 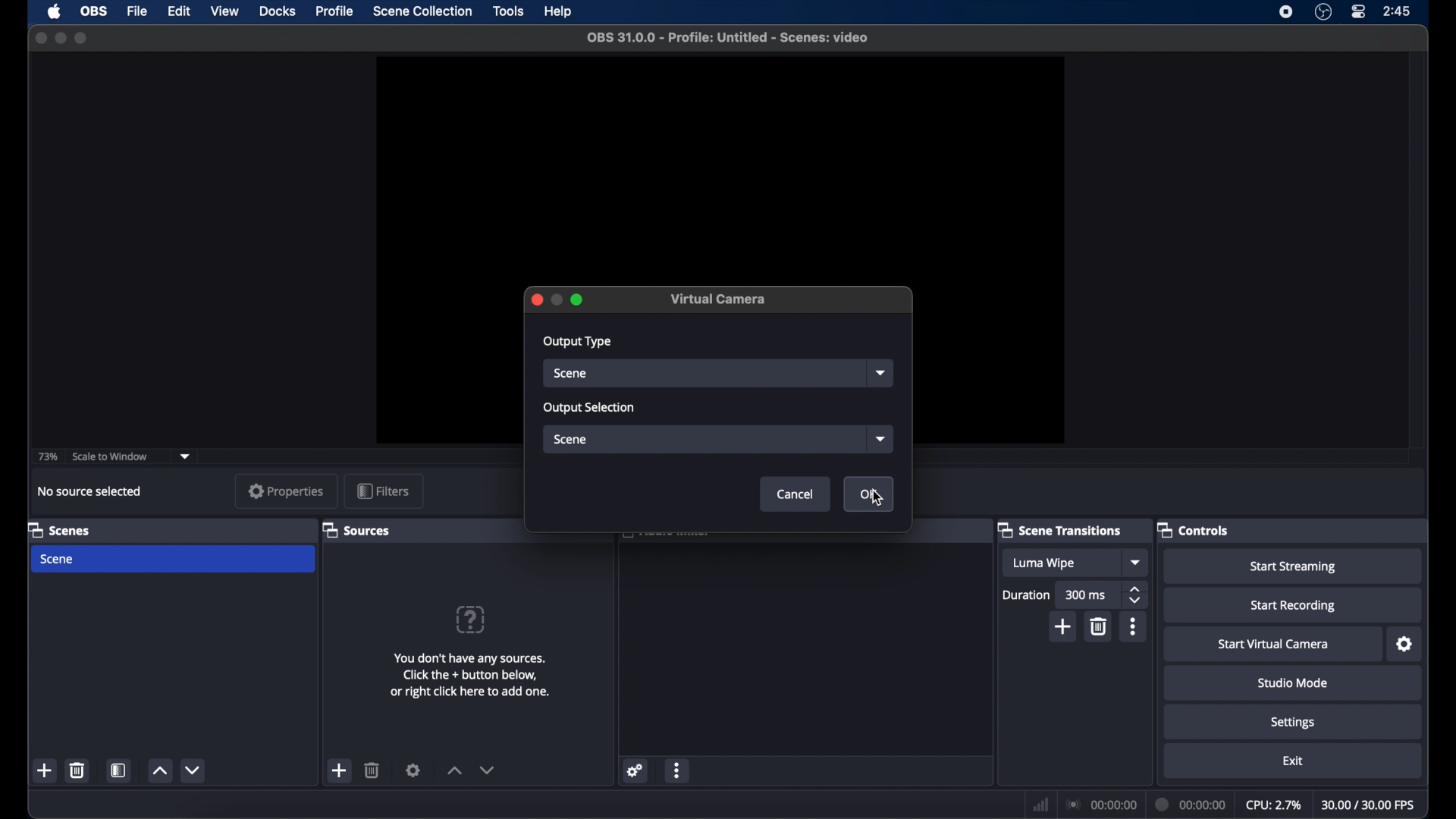 I want to click on settings, so click(x=414, y=769).